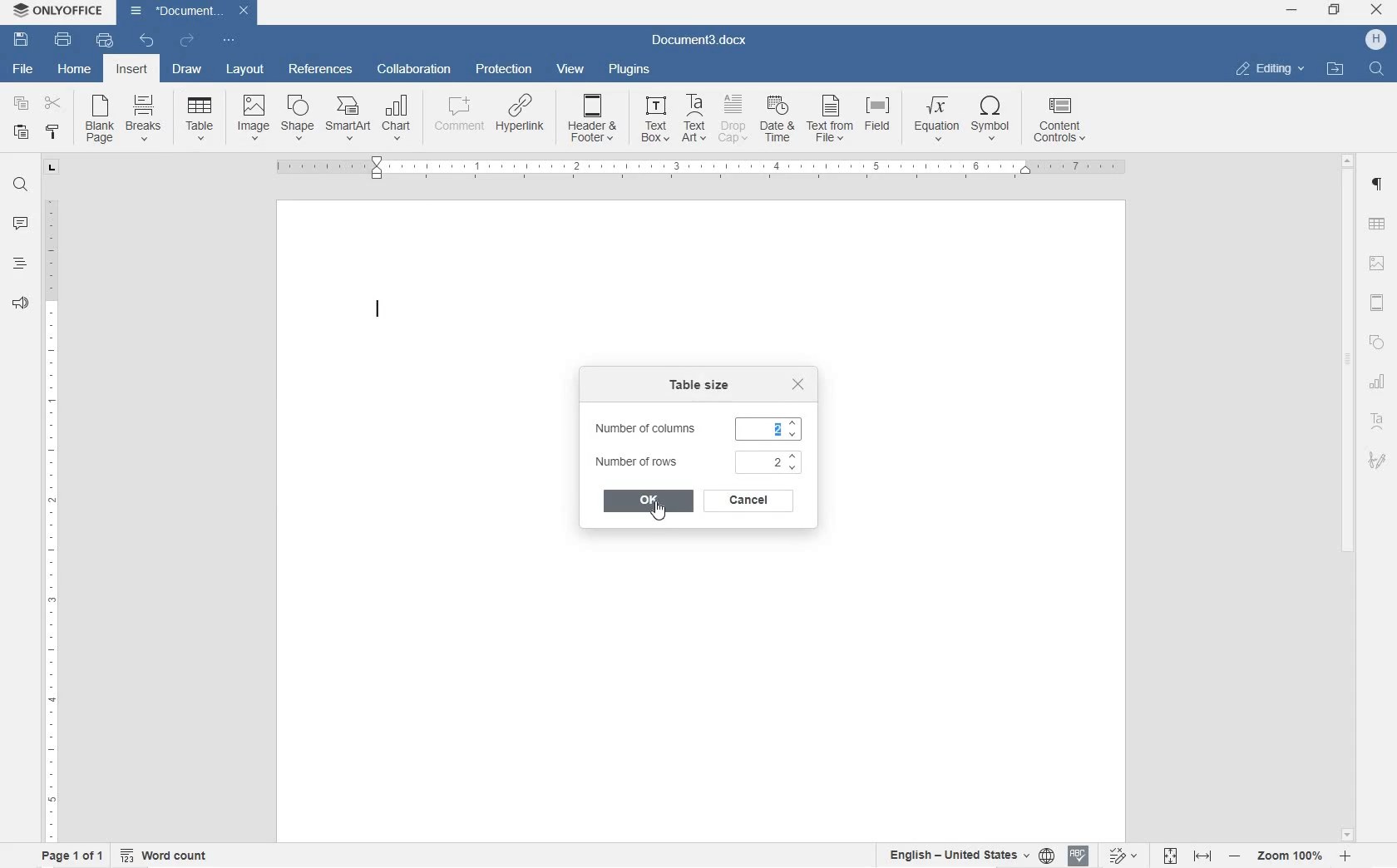 This screenshot has width=1397, height=868. I want to click on TextBox, so click(650, 119).